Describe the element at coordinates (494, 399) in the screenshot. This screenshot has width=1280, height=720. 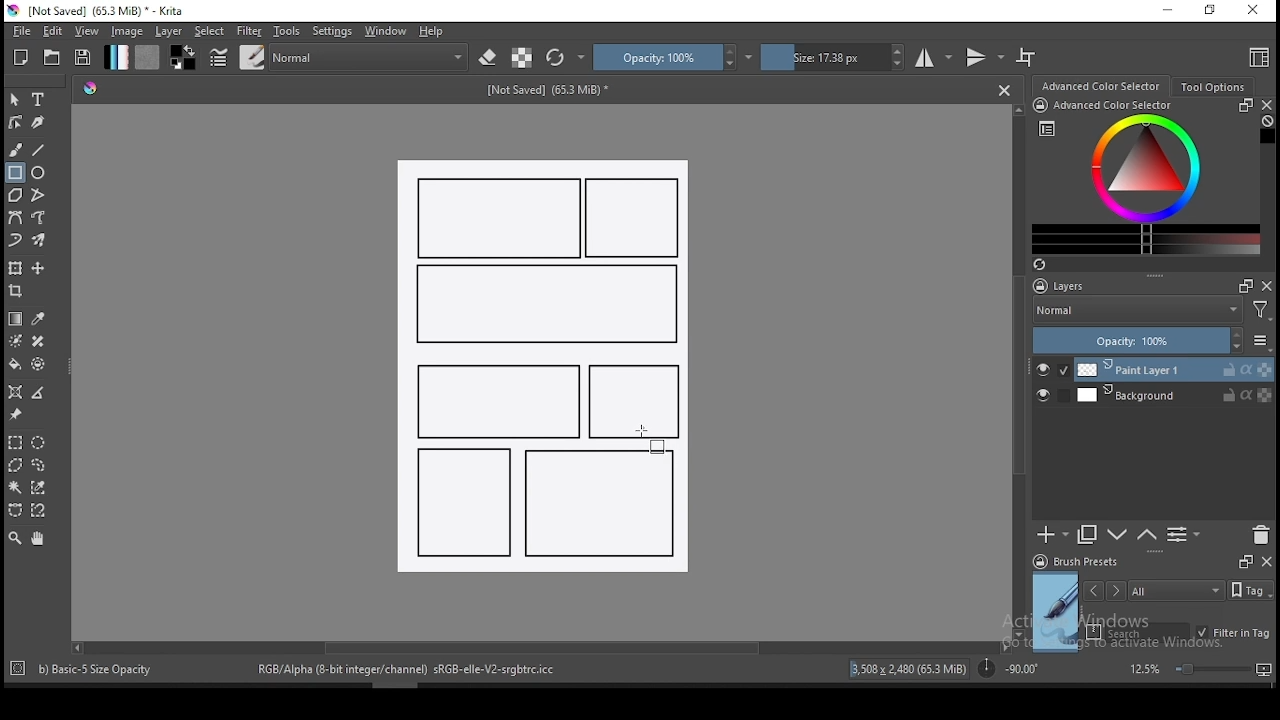
I see `new rectangle` at that location.